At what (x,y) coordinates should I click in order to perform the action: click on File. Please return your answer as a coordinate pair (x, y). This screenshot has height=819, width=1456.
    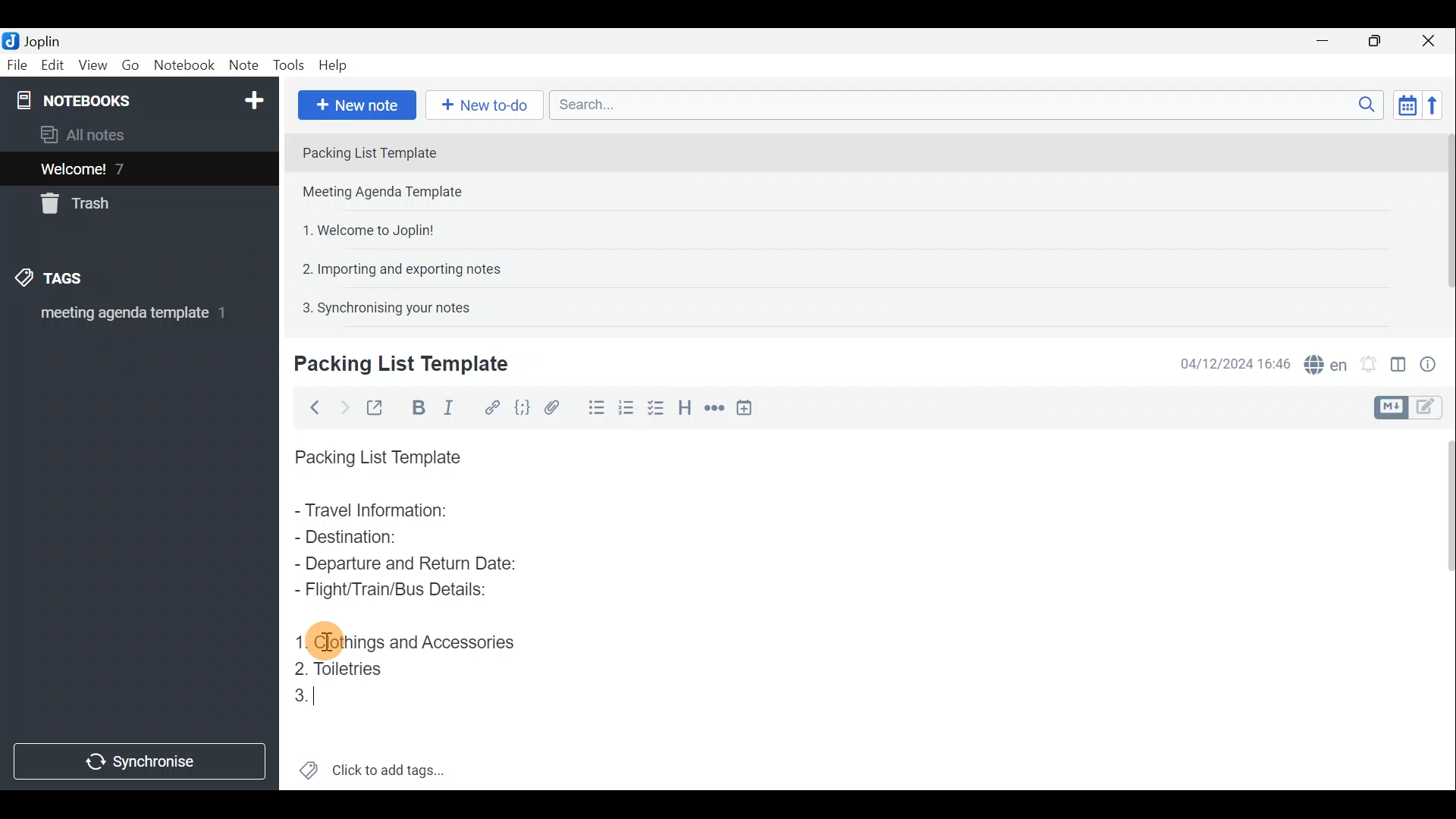
    Looking at the image, I should click on (15, 64).